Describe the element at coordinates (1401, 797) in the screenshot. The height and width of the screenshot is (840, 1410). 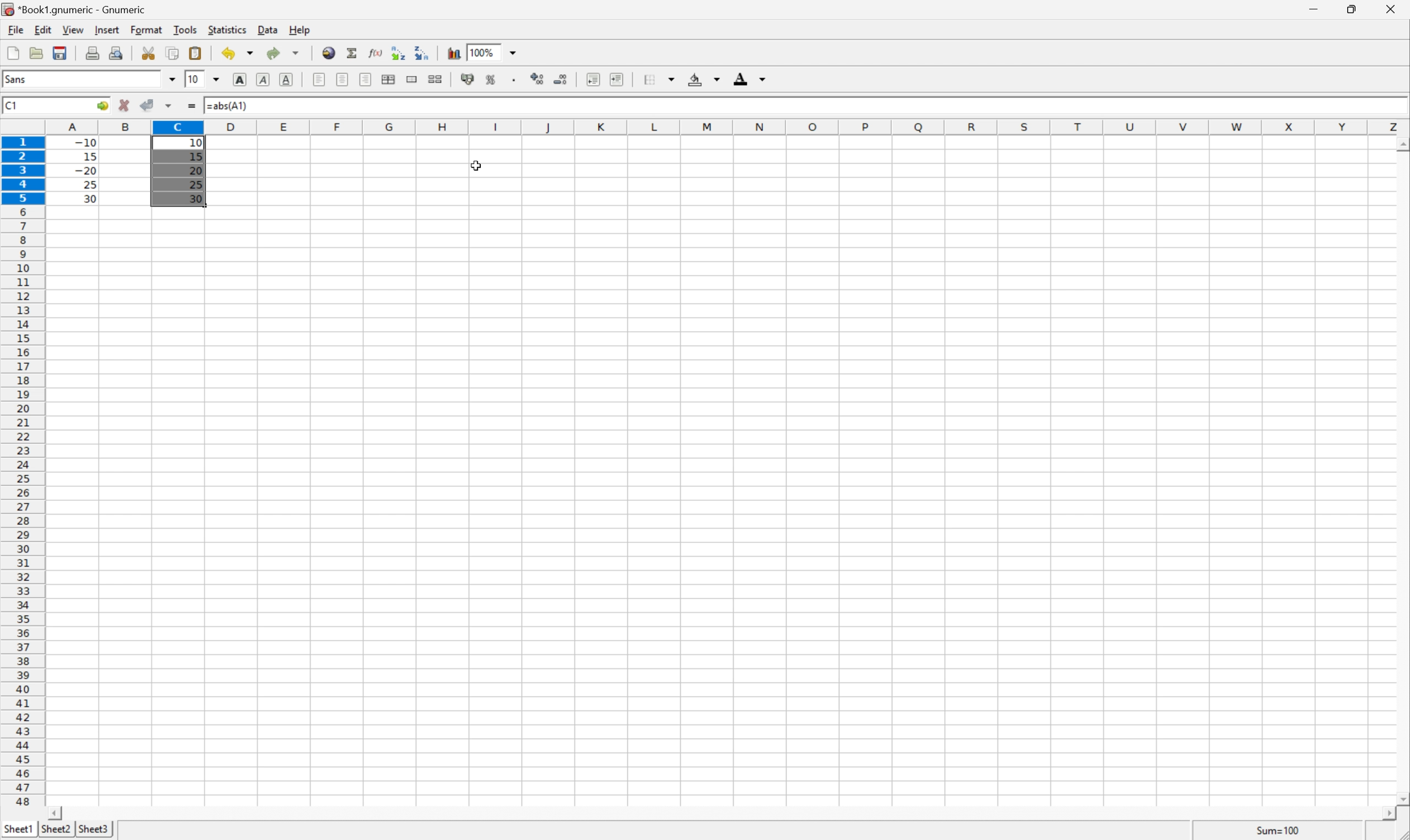
I see `Scroll down` at that location.